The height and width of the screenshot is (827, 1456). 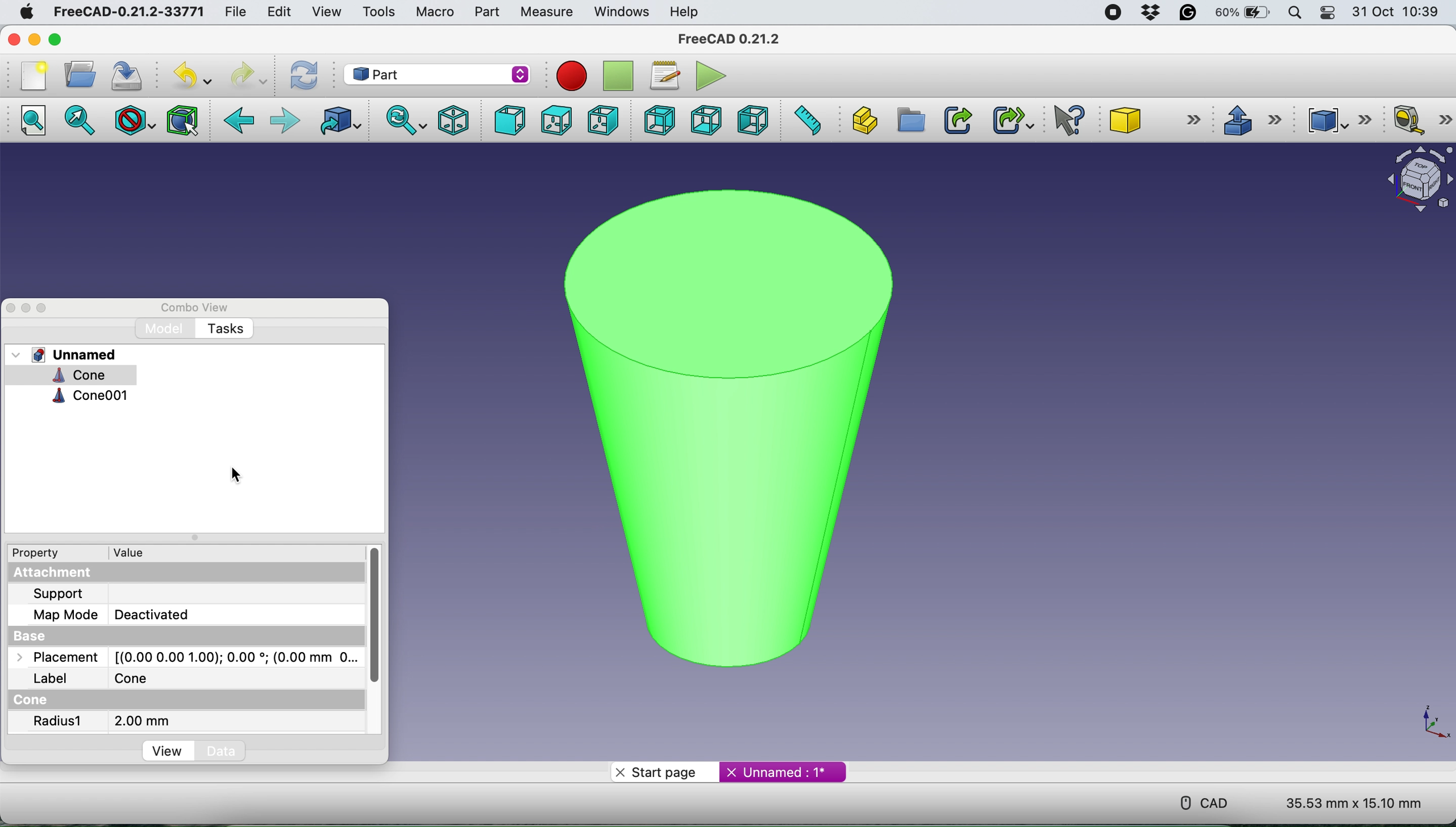 What do you see at coordinates (89, 397) in the screenshot?
I see `cone001` at bounding box center [89, 397].